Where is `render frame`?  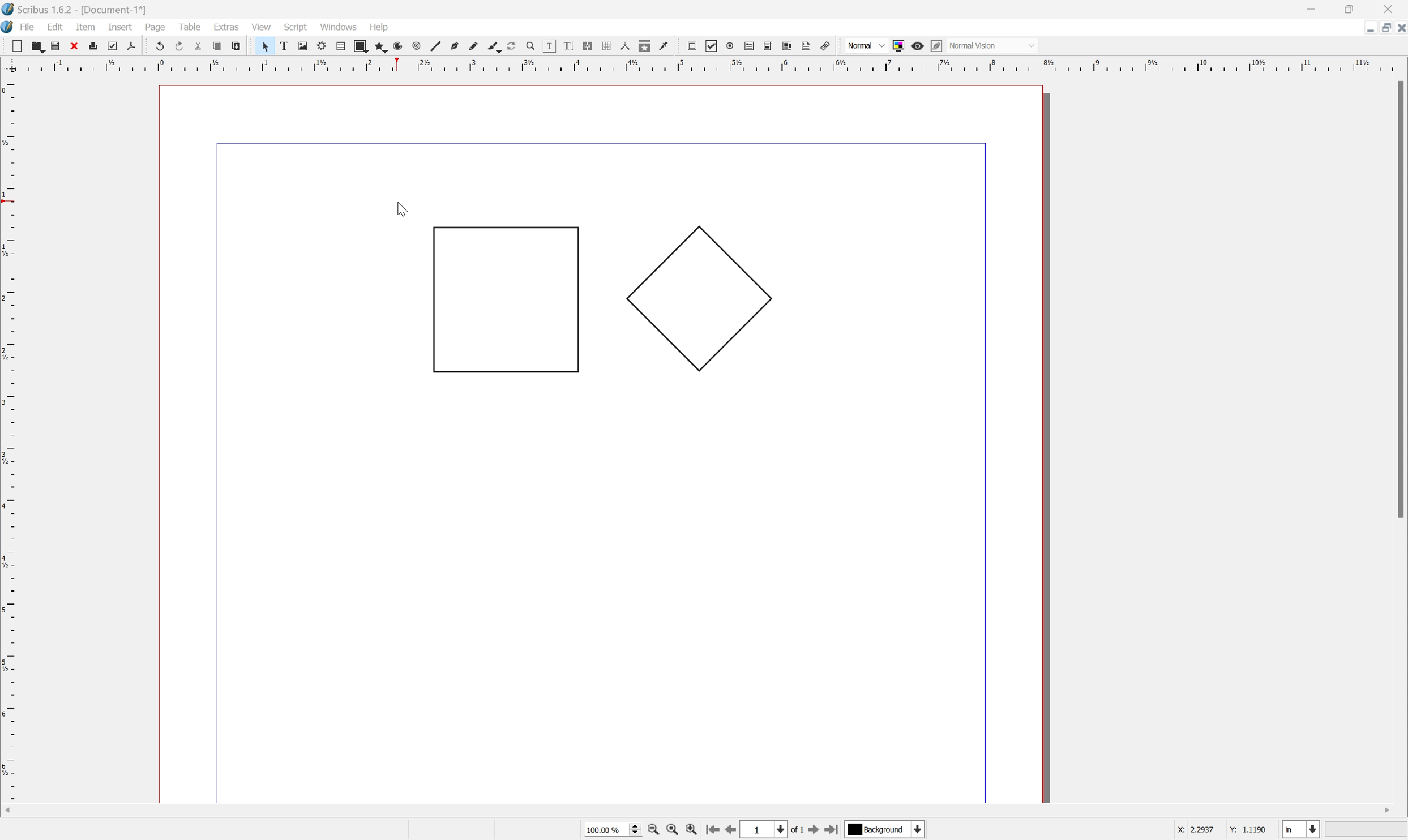 render frame is located at coordinates (319, 45).